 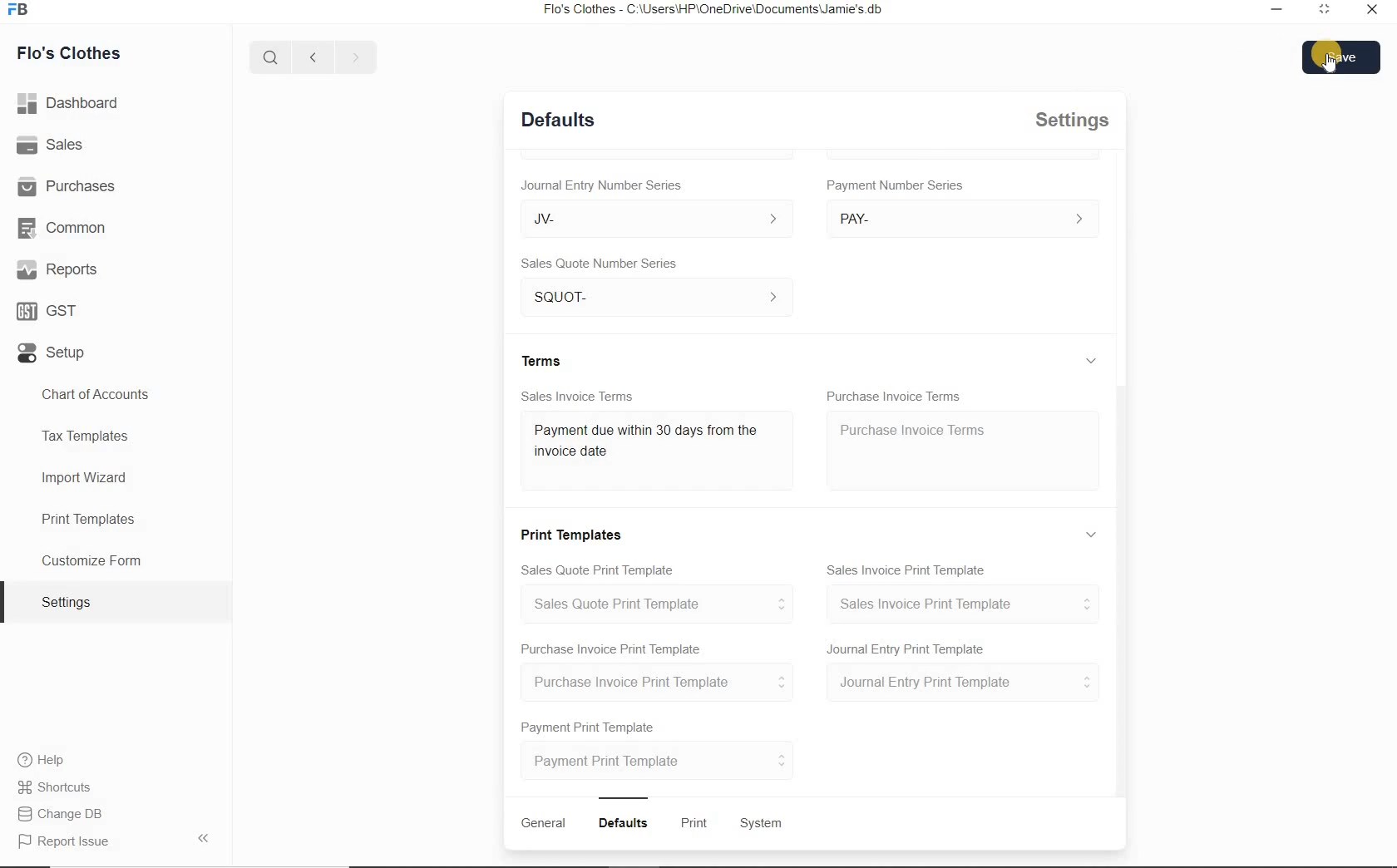 I want to click on Flo's Clothes, so click(x=67, y=55).